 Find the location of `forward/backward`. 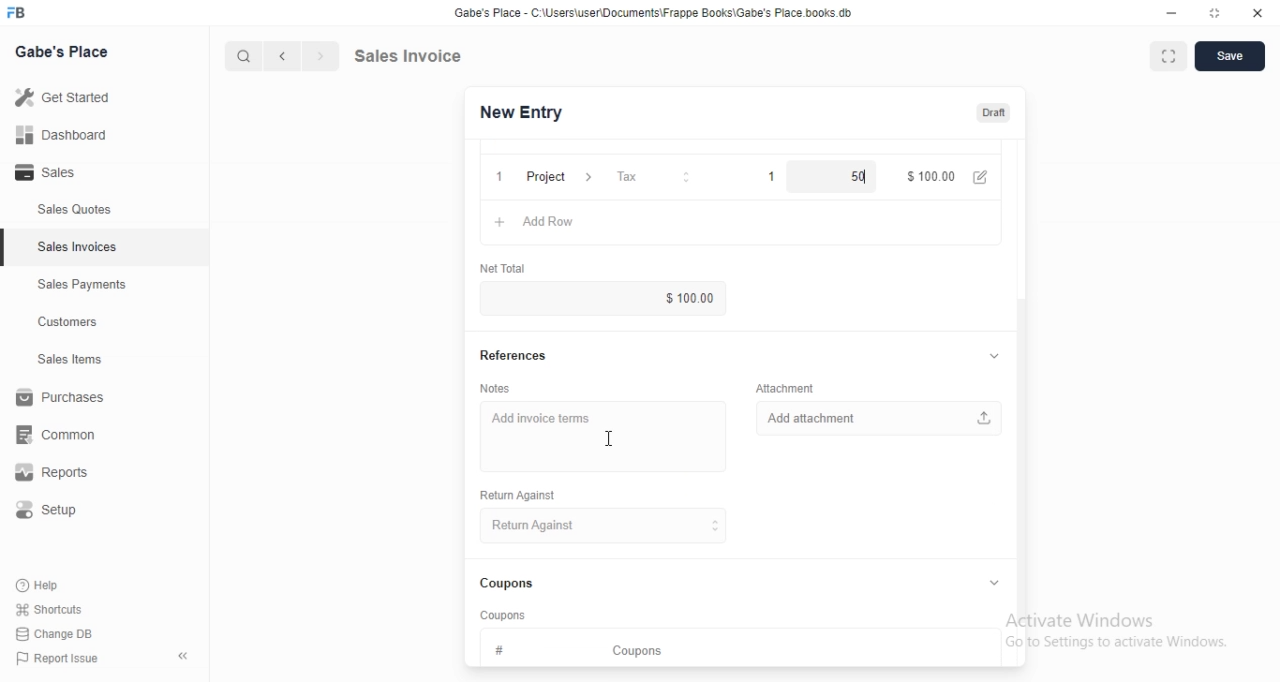

forward/backward is located at coordinates (300, 56).